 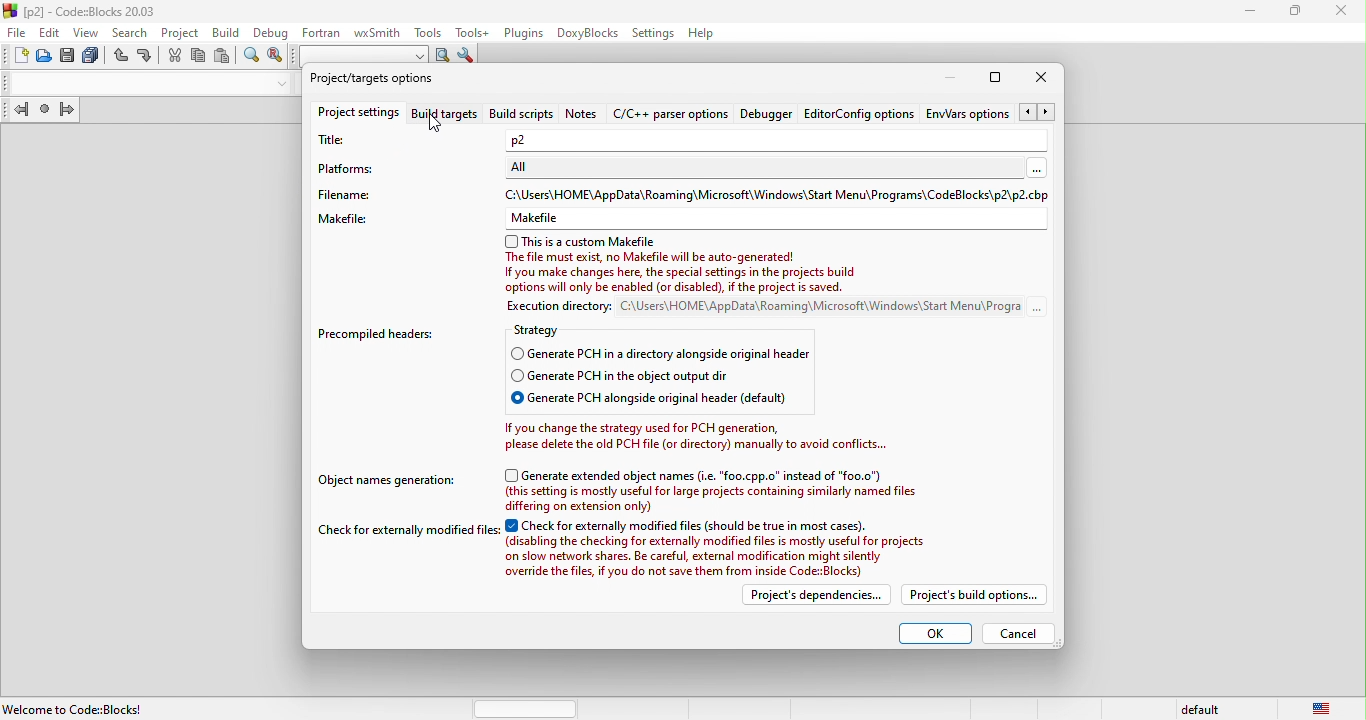 I want to click on save everything, so click(x=94, y=57).